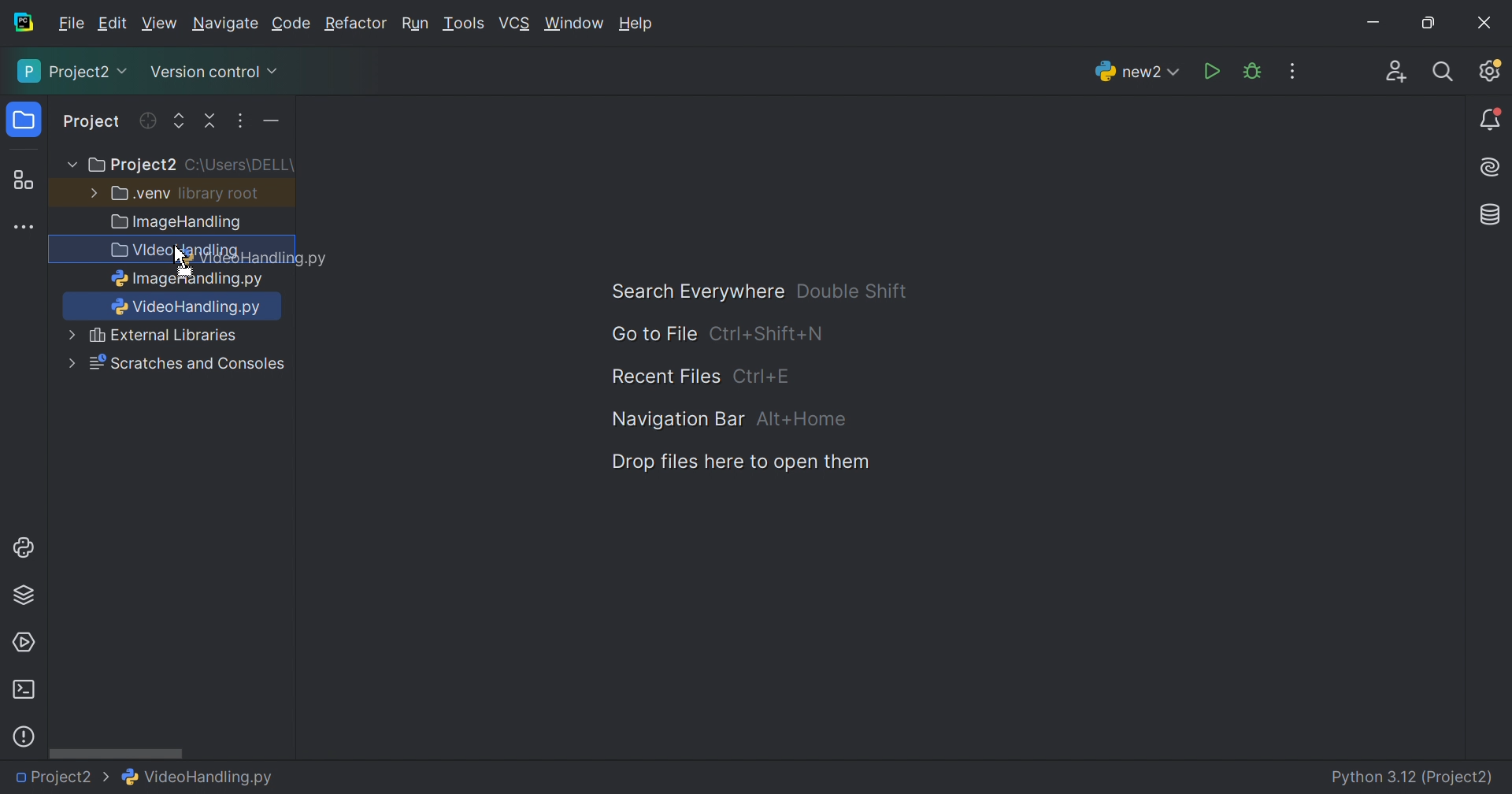  What do you see at coordinates (1396, 74) in the screenshot?
I see `Code with me` at bounding box center [1396, 74].